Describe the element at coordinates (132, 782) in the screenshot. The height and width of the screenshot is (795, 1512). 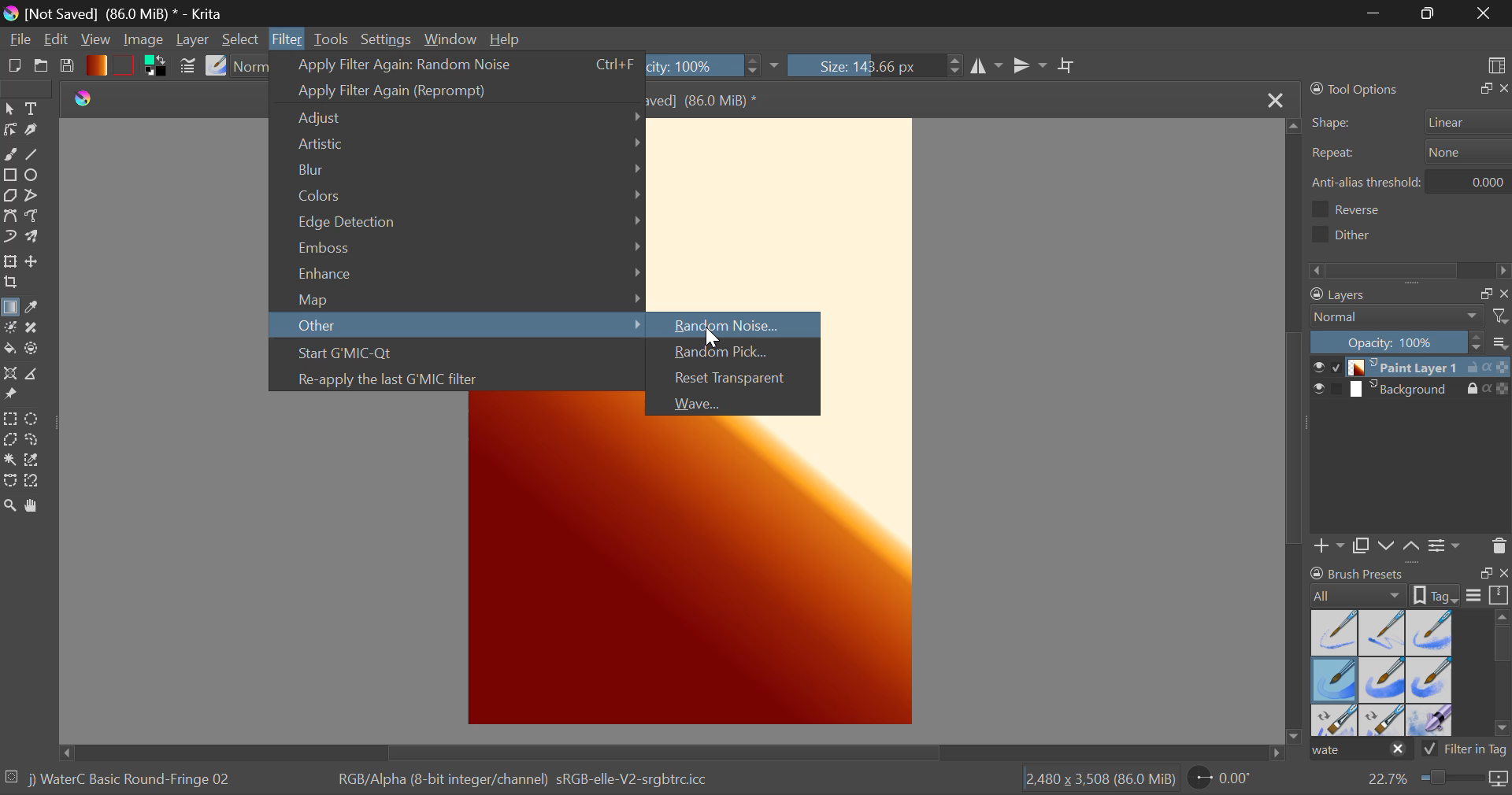
I see `jj waterc basic round-fringe 02` at that location.